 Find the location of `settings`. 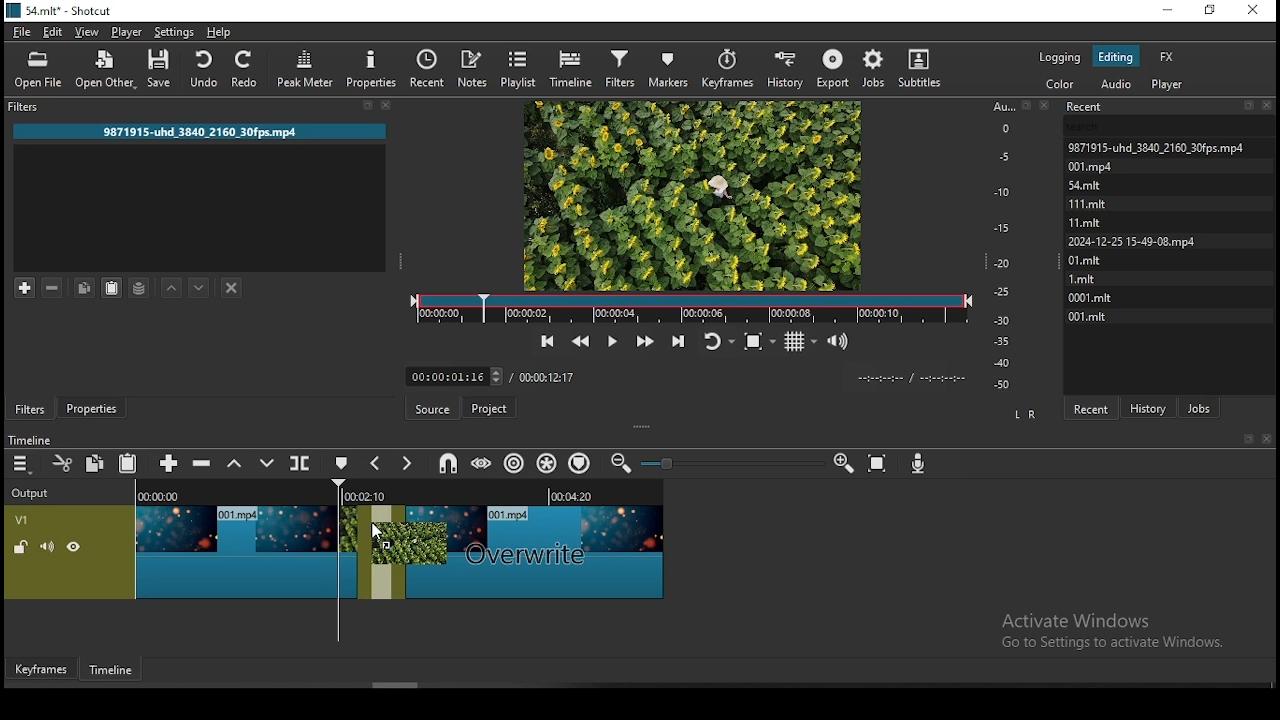

settings is located at coordinates (173, 33).